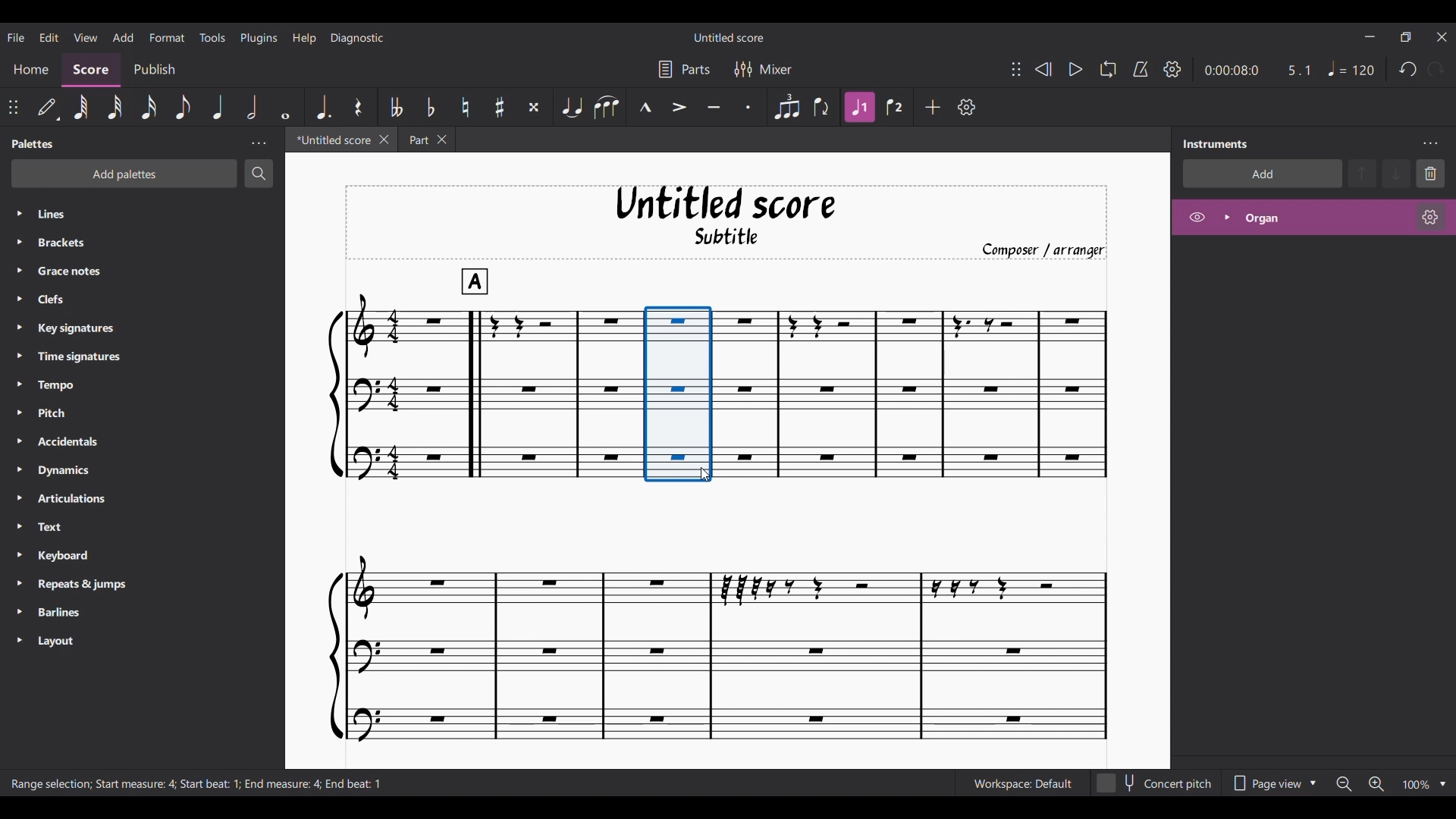 The image size is (1456, 819). What do you see at coordinates (167, 37) in the screenshot?
I see `Format menu` at bounding box center [167, 37].